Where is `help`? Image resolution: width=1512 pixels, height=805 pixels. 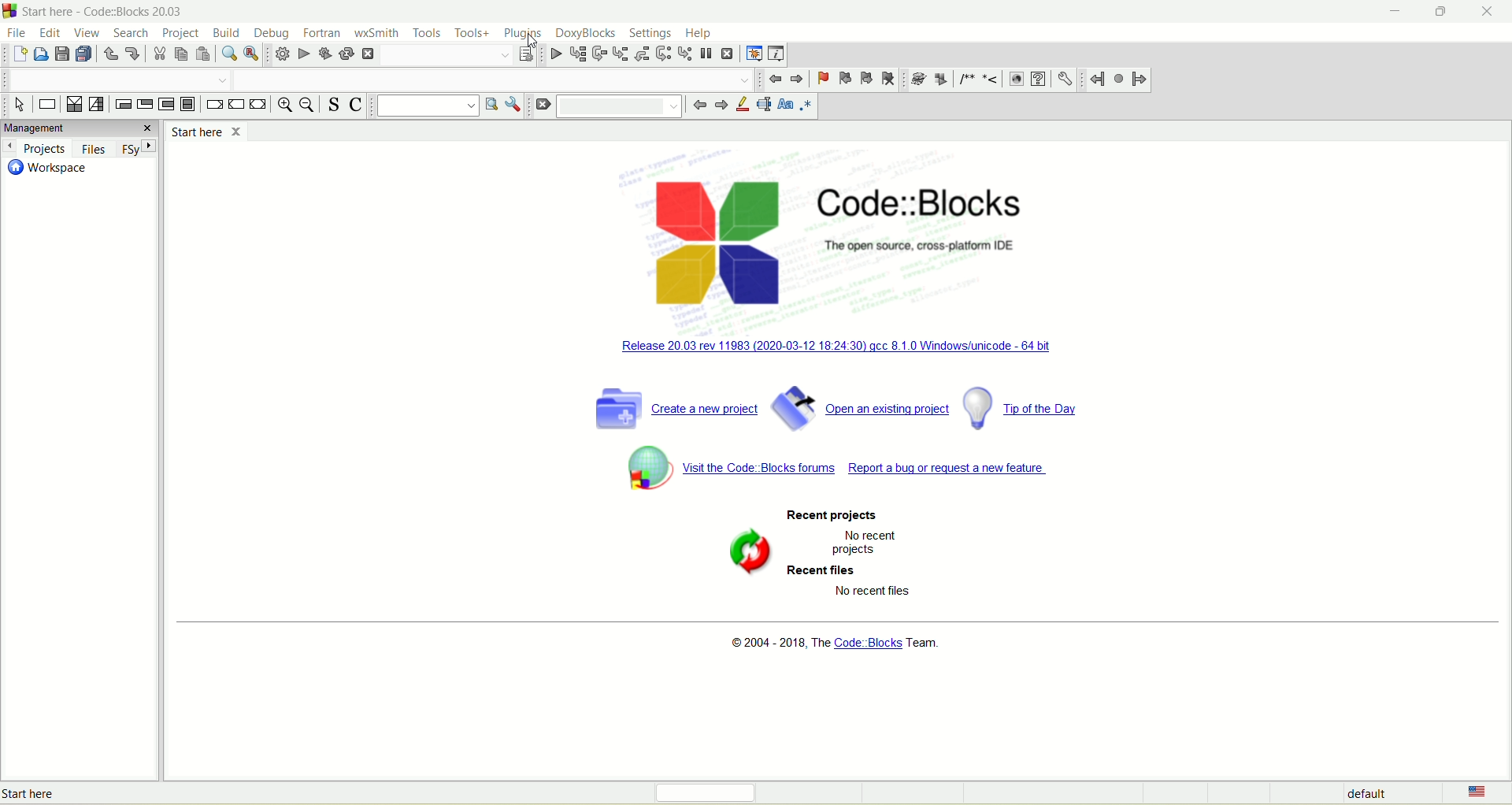 help is located at coordinates (699, 34).